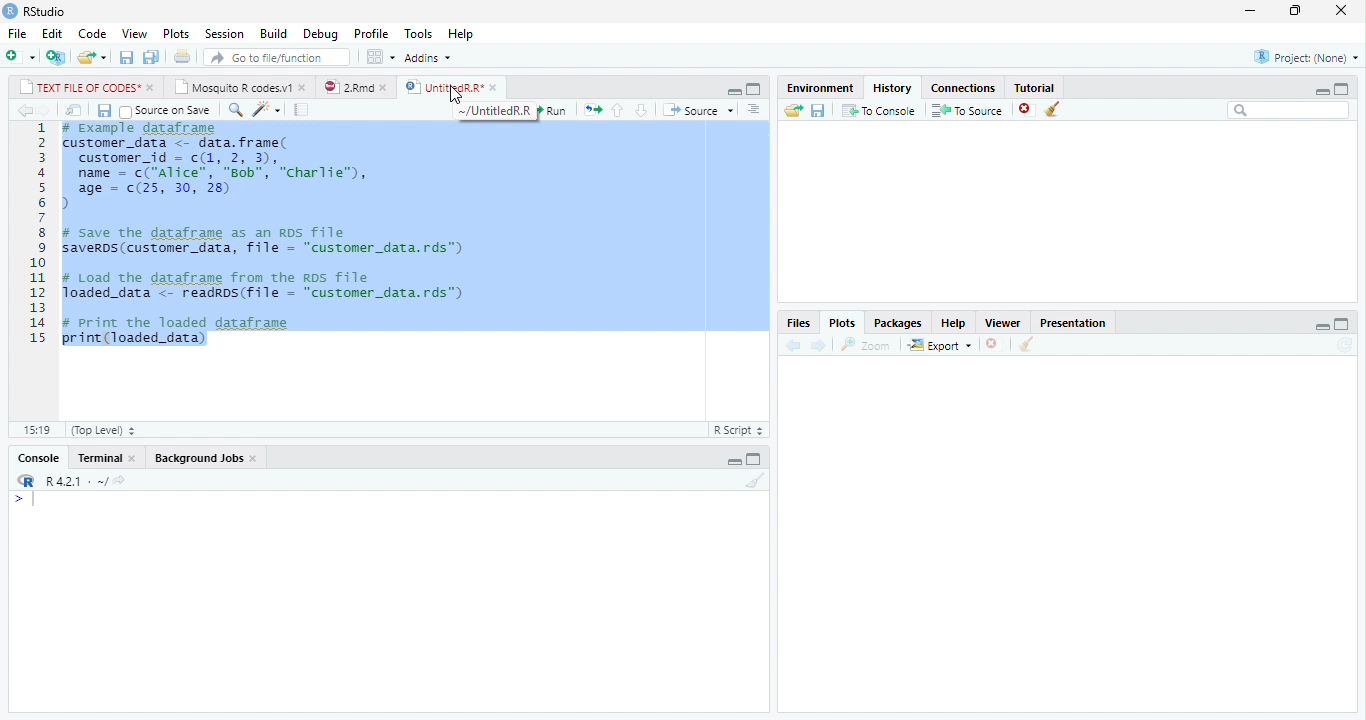 The width and height of the screenshot is (1366, 720). Describe the element at coordinates (75, 111) in the screenshot. I see `open in new window` at that location.